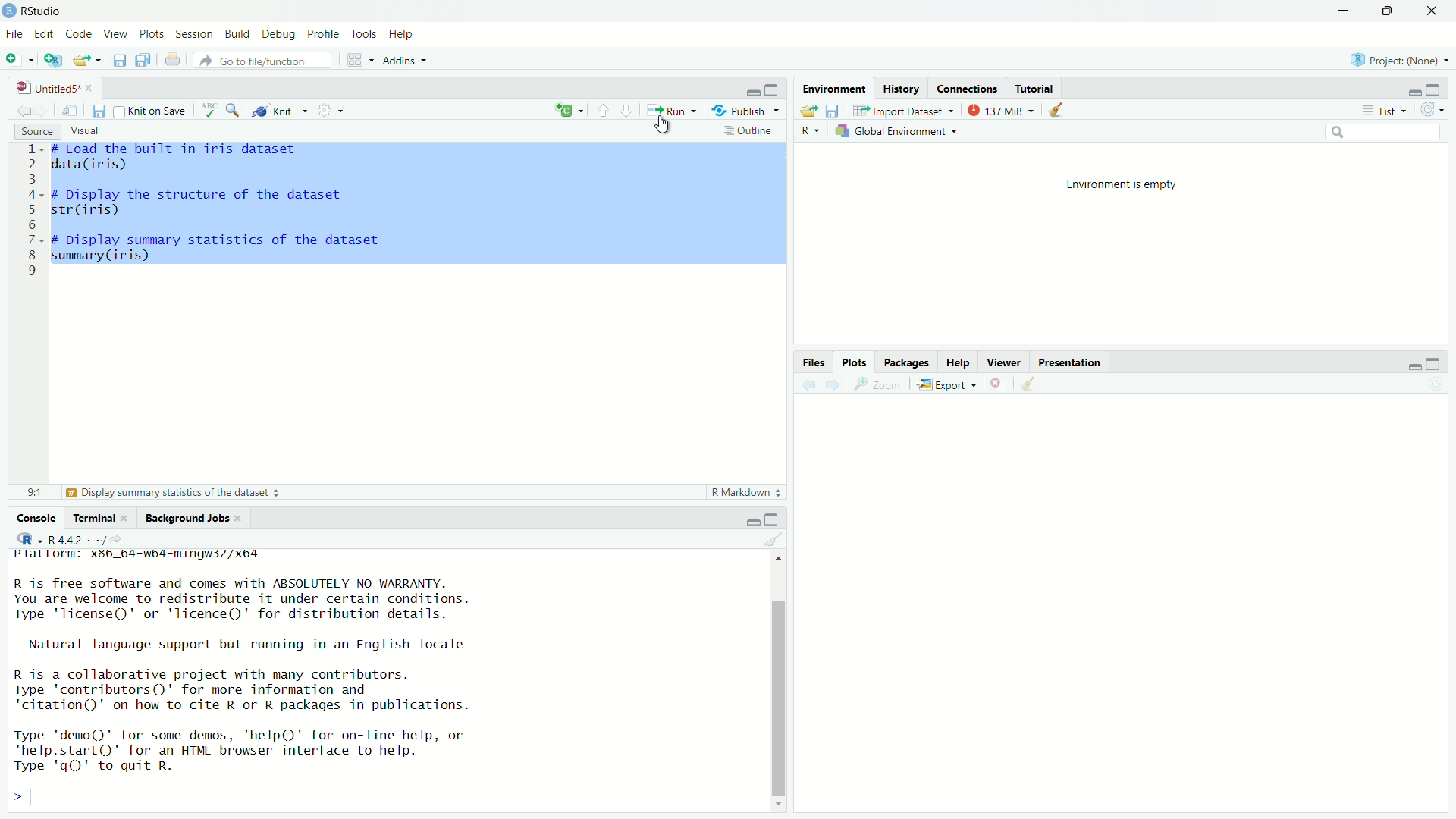 The width and height of the screenshot is (1456, 819). Describe the element at coordinates (1432, 10) in the screenshot. I see `Close` at that location.